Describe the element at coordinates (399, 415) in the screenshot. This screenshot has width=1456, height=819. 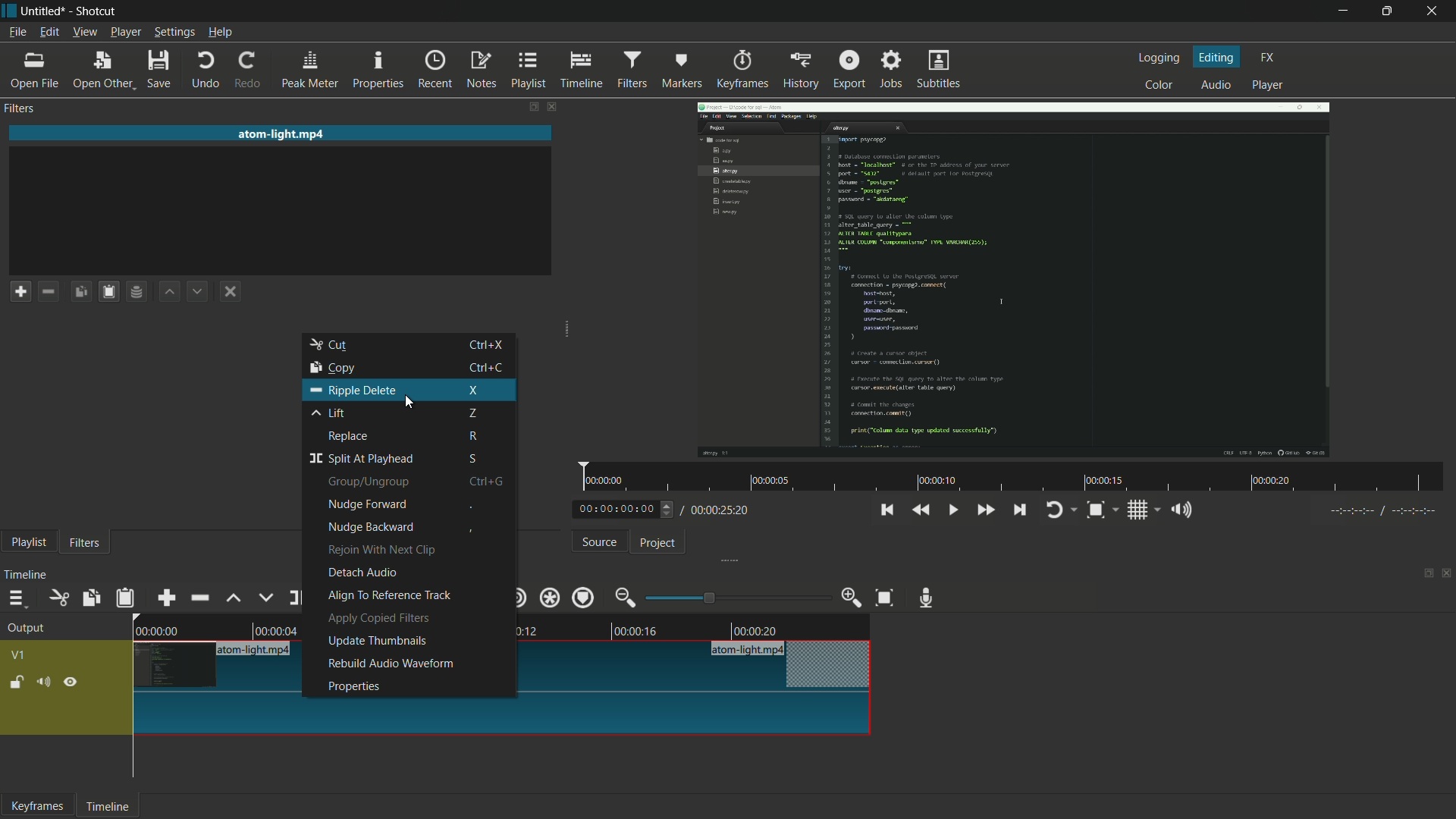
I see `lift` at that location.